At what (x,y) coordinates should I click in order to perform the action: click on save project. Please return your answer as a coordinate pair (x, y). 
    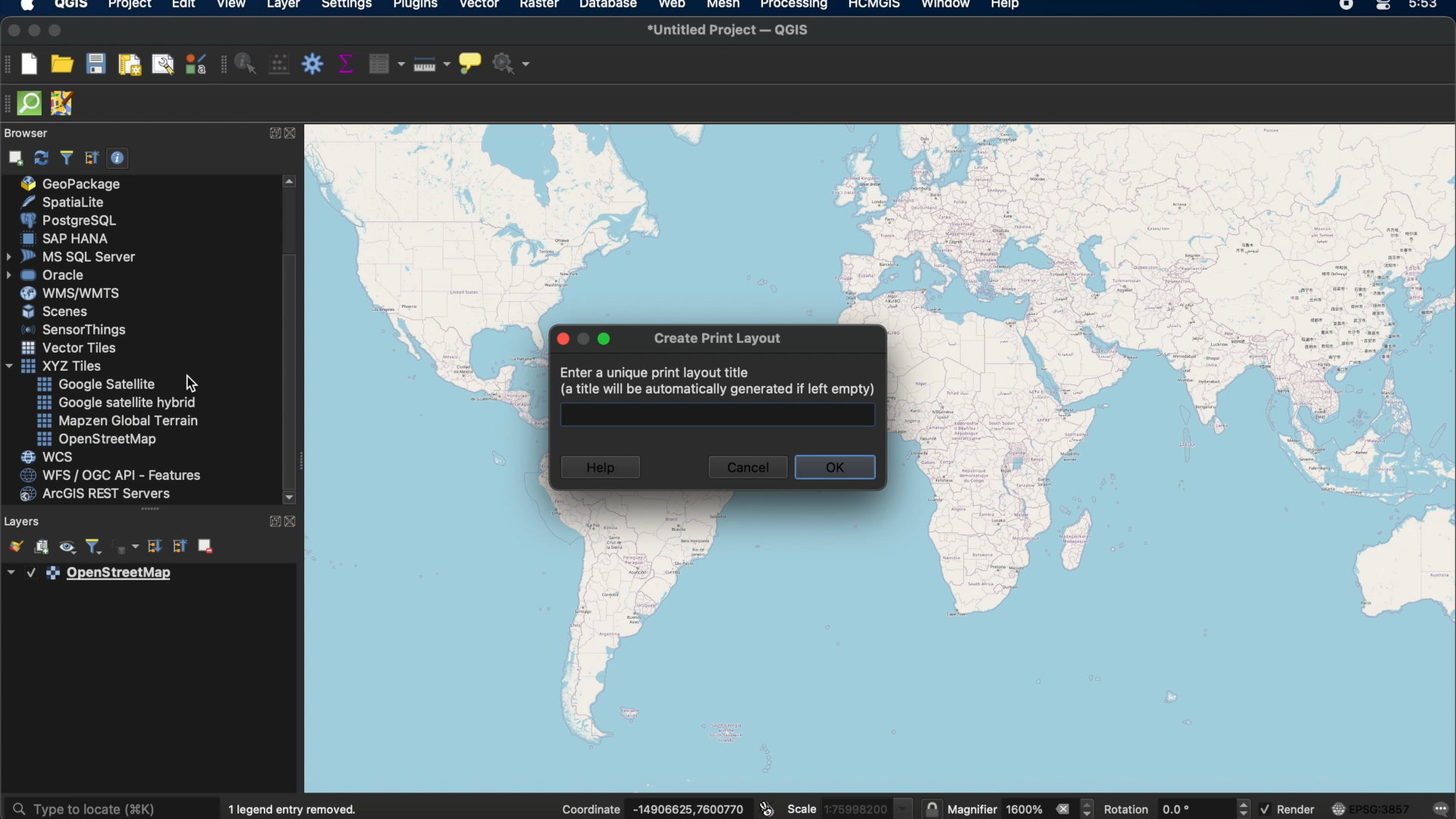
    Looking at the image, I should click on (95, 63).